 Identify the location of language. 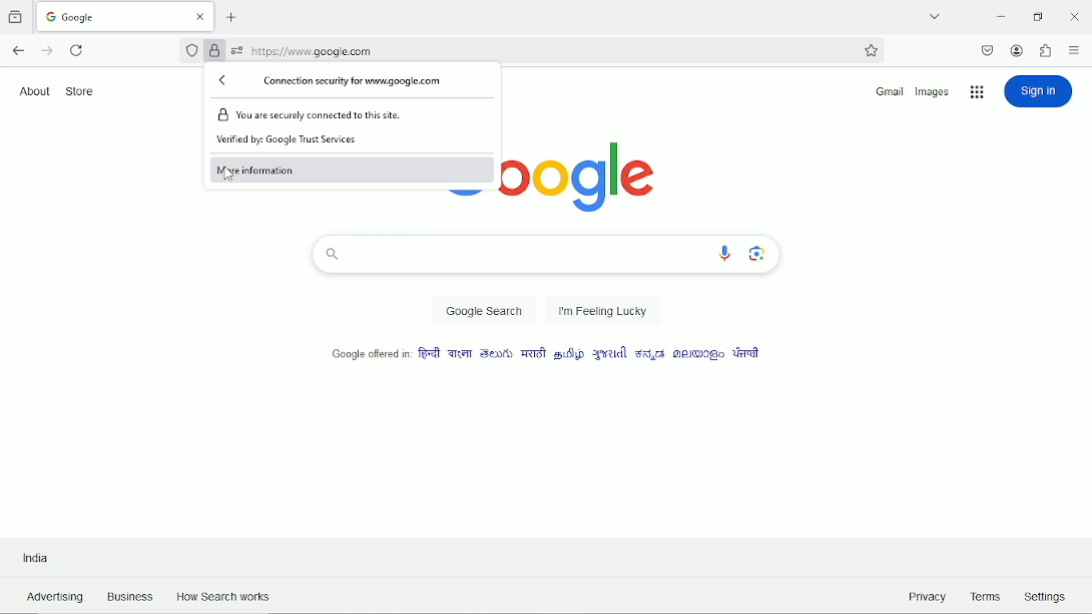
(567, 354).